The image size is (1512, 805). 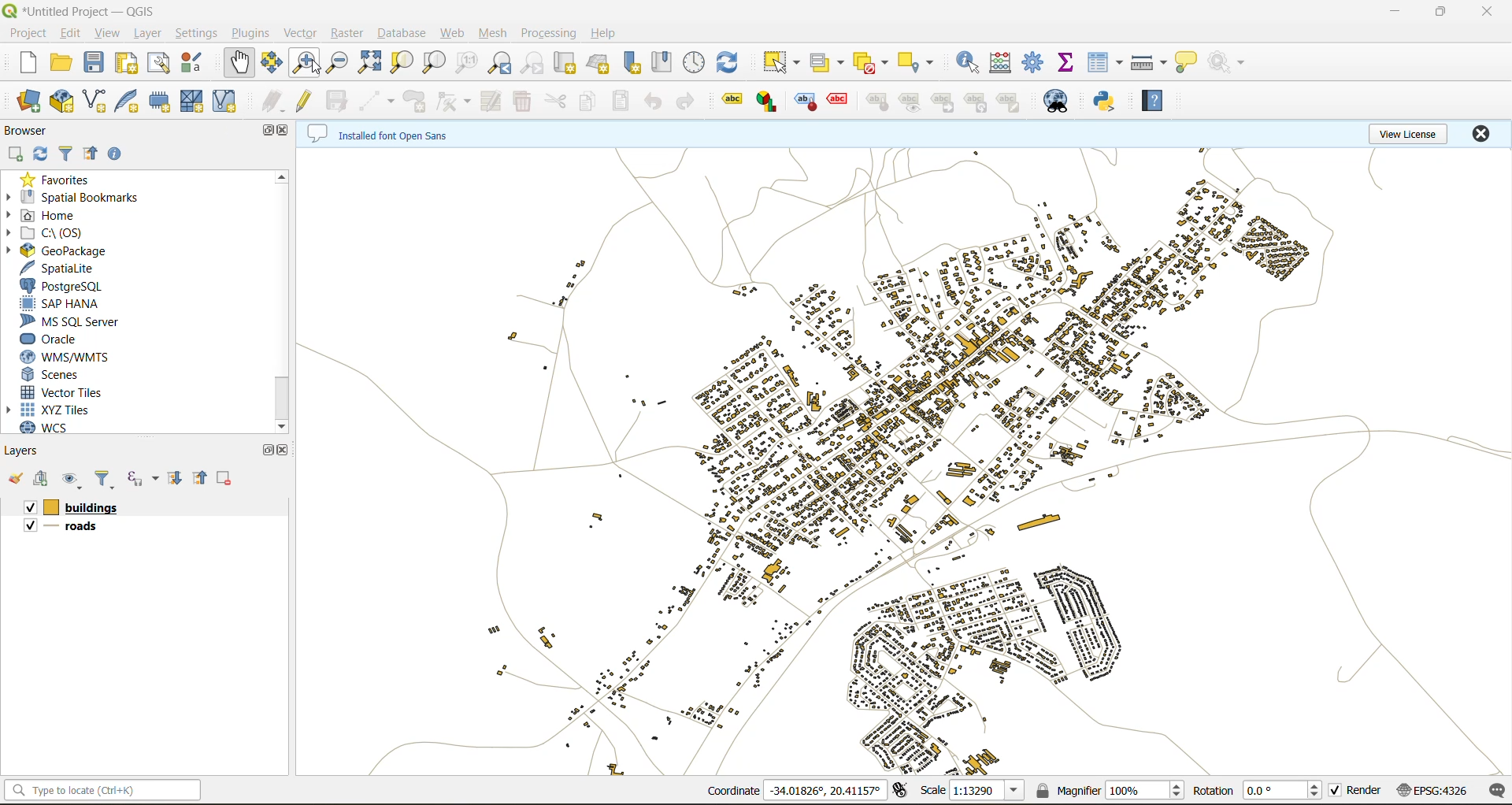 I want to click on maximize, so click(x=1443, y=11).